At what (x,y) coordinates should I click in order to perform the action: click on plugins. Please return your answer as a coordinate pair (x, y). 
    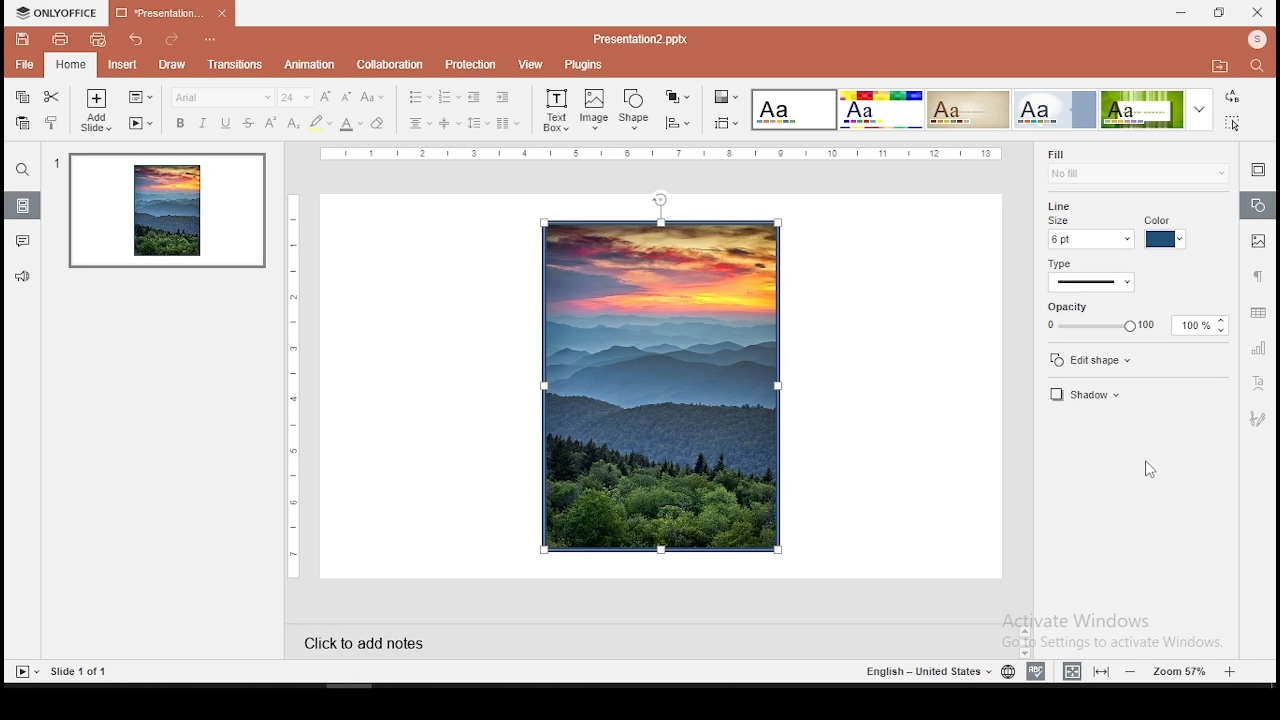
    Looking at the image, I should click on (588, 64).